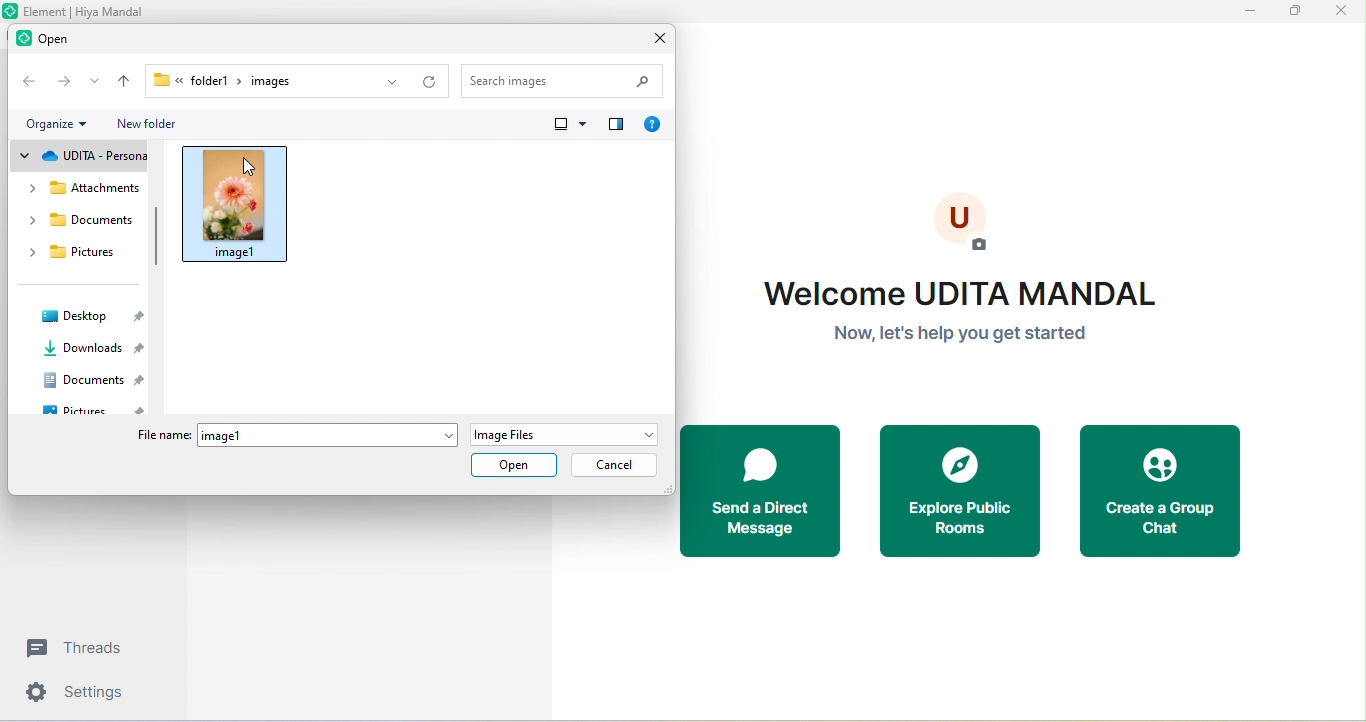  Describe the element at coordinates (94, 83) in the screenshot. I see `recent location` at that location.